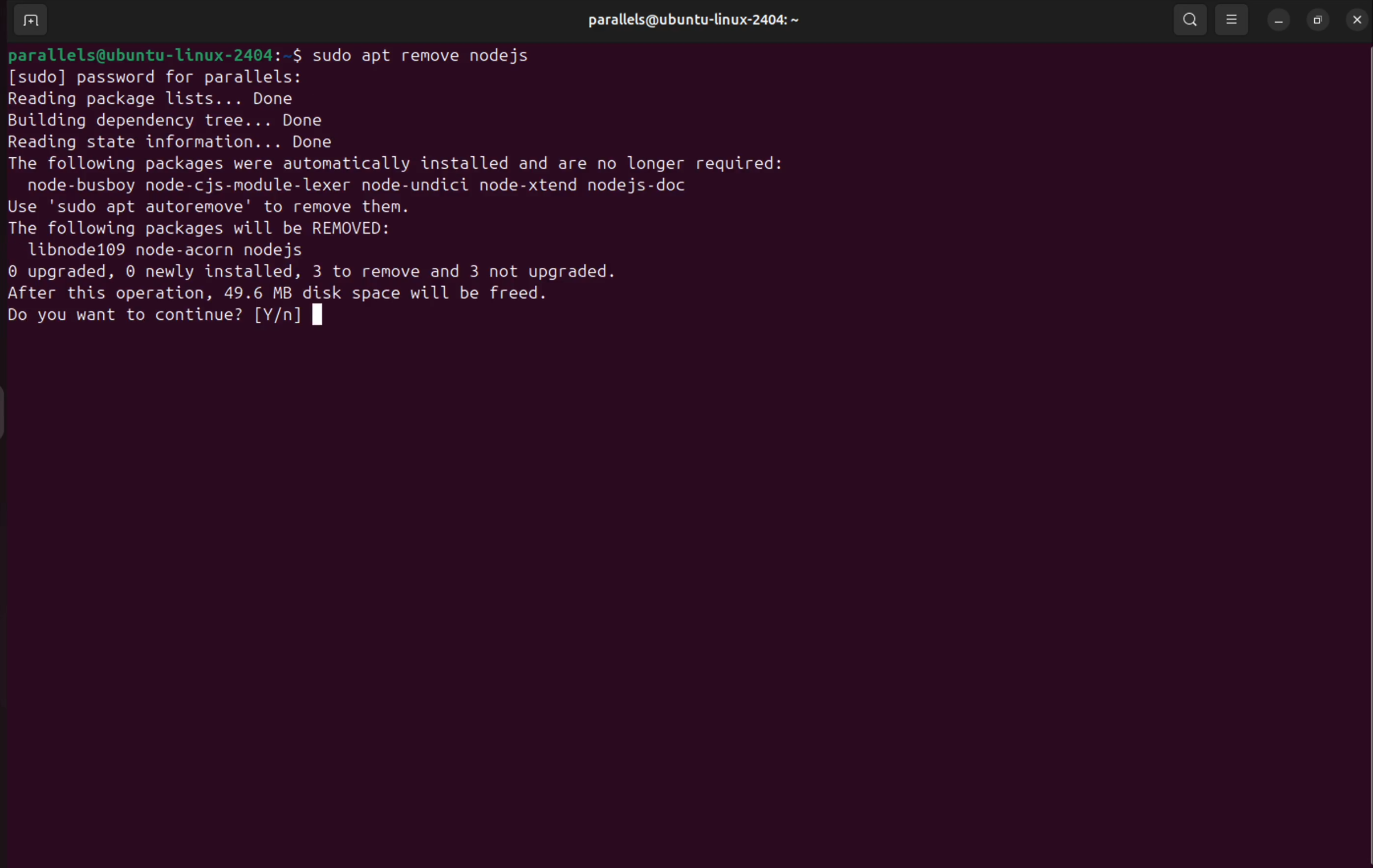 This screenshot has height=868, width=1373. Describe the element at coordinates (1359, 424) in the screenshot. I see `Scrollbar` at that location.